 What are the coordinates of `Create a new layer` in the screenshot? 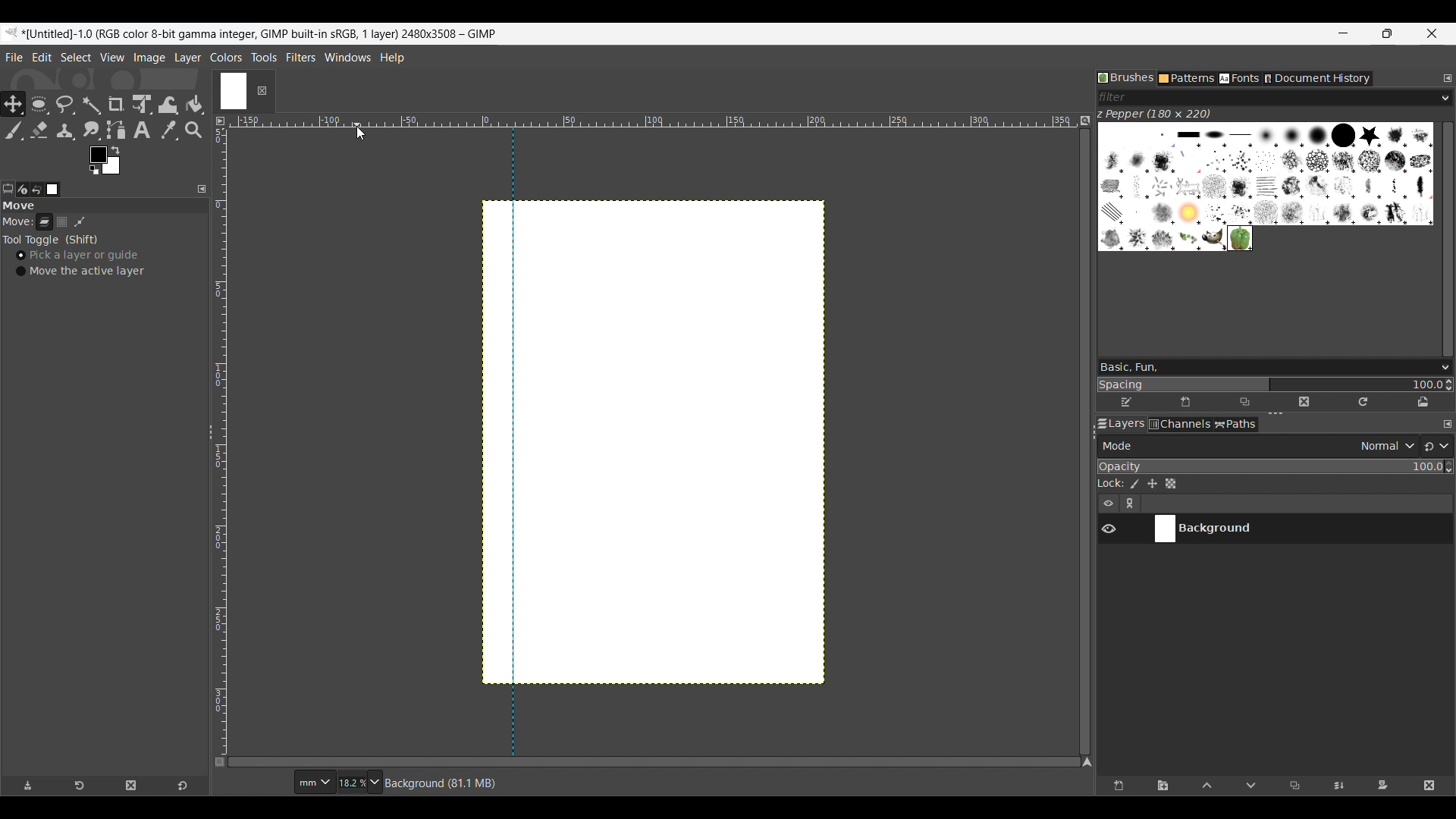 It's located at (1118, 786).